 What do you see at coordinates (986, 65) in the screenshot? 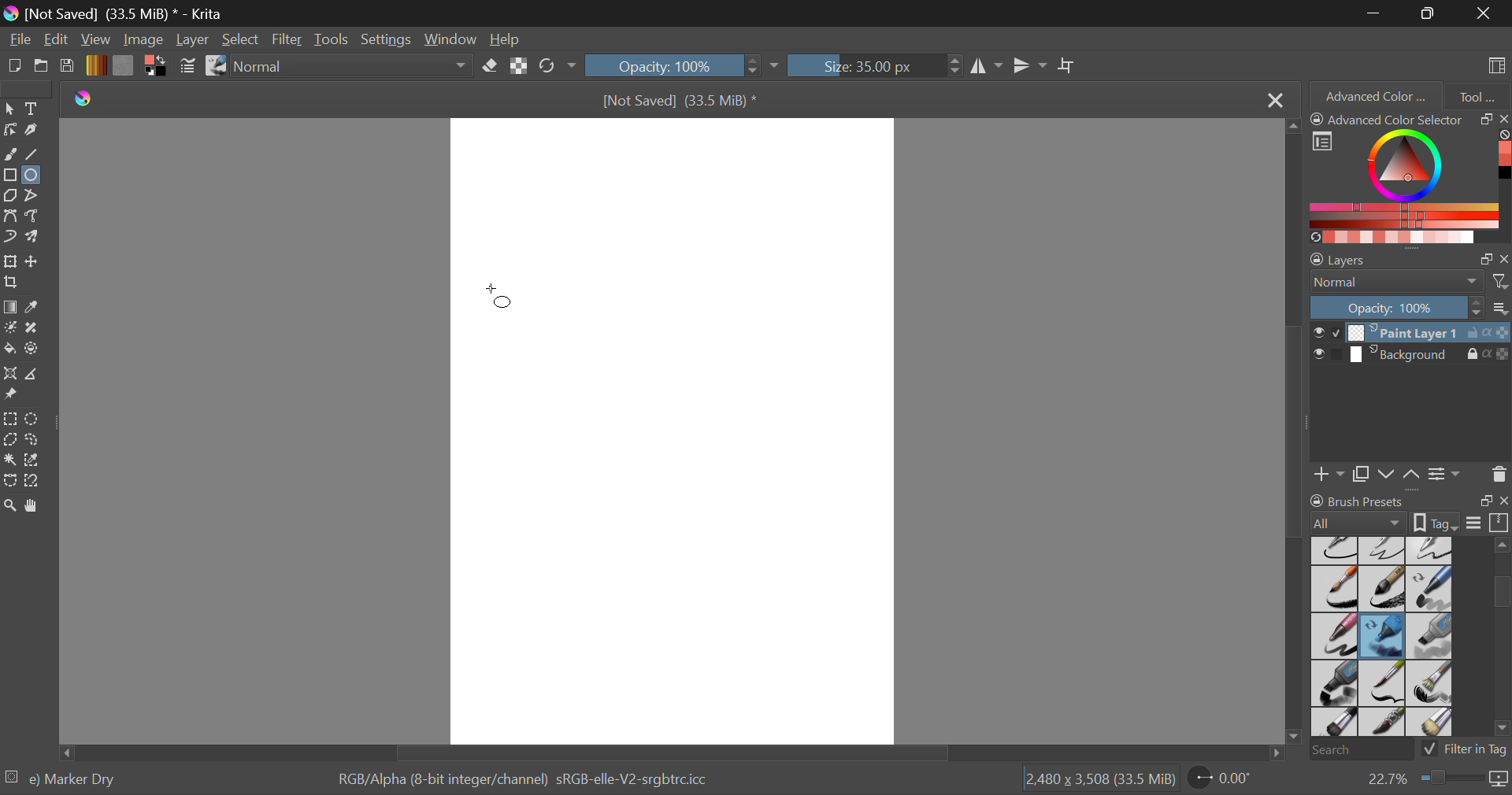
I see `Horizontal Mirror Tool` at bounding box center [986, 65].